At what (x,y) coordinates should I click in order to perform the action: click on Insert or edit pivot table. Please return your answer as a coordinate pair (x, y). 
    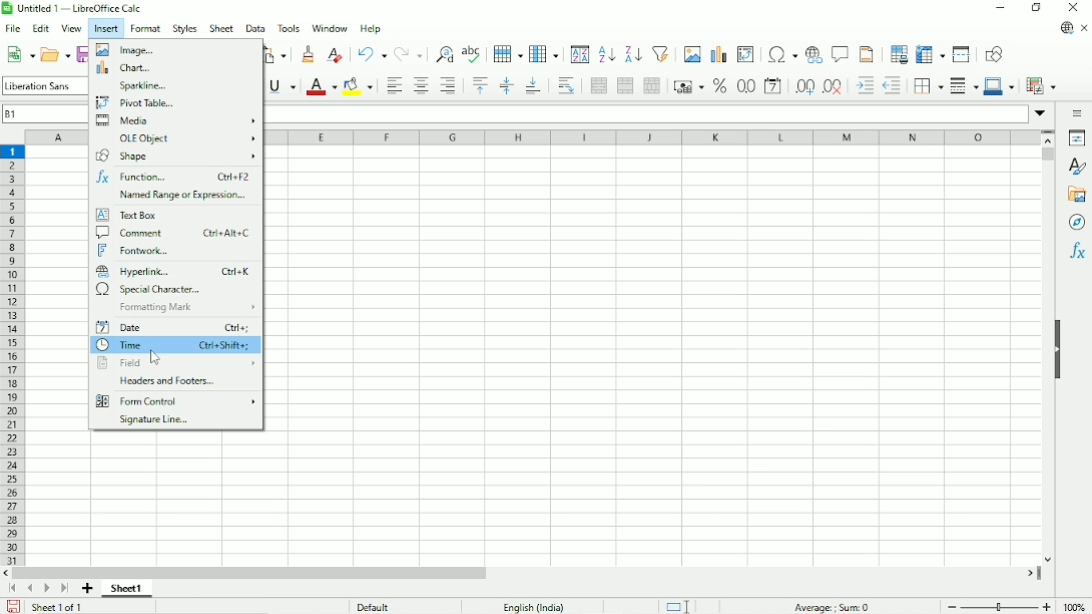
    Looking at the image, I should click on (747, 52).